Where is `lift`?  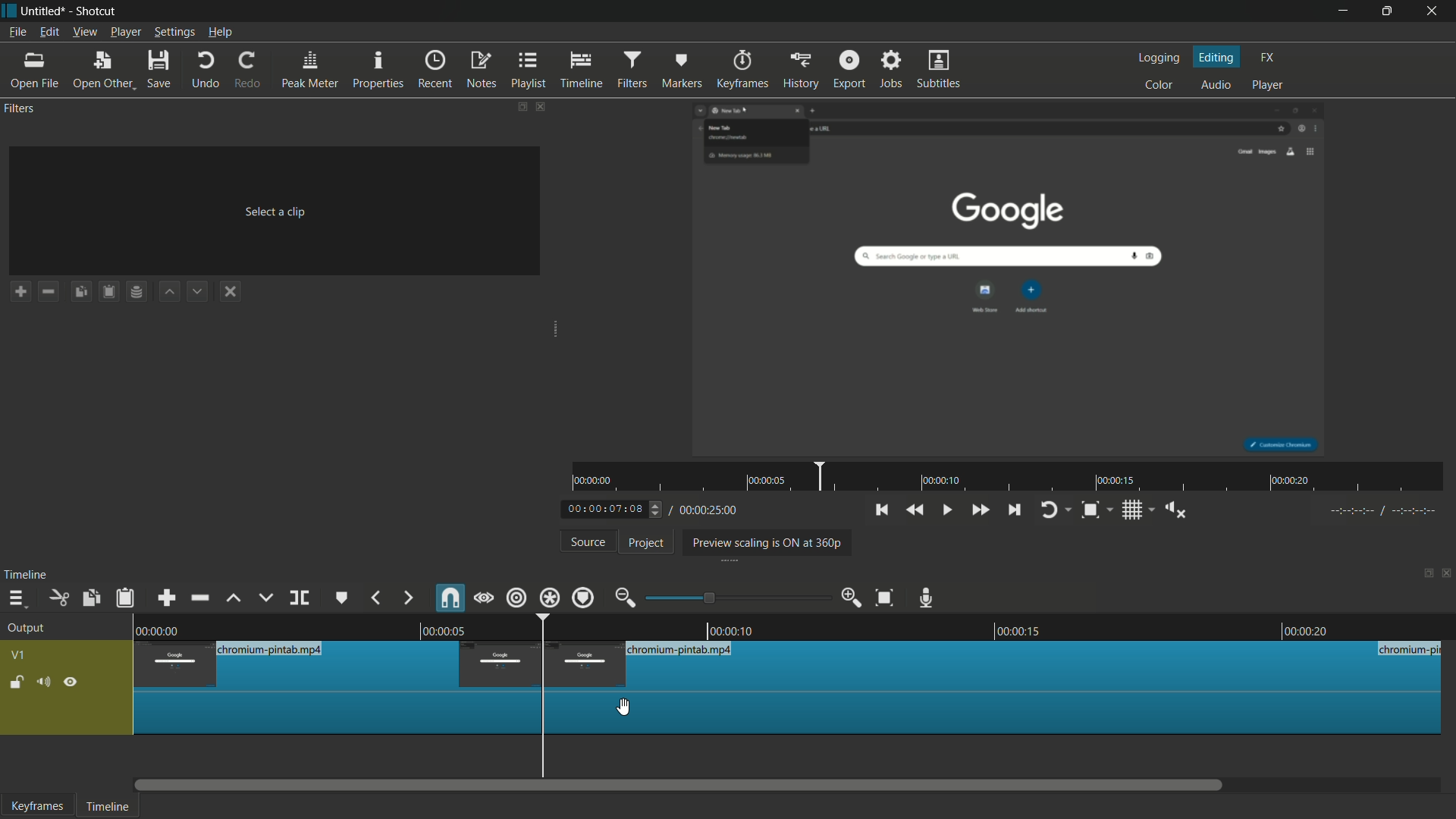 lift is located at coordinates (235, 599).